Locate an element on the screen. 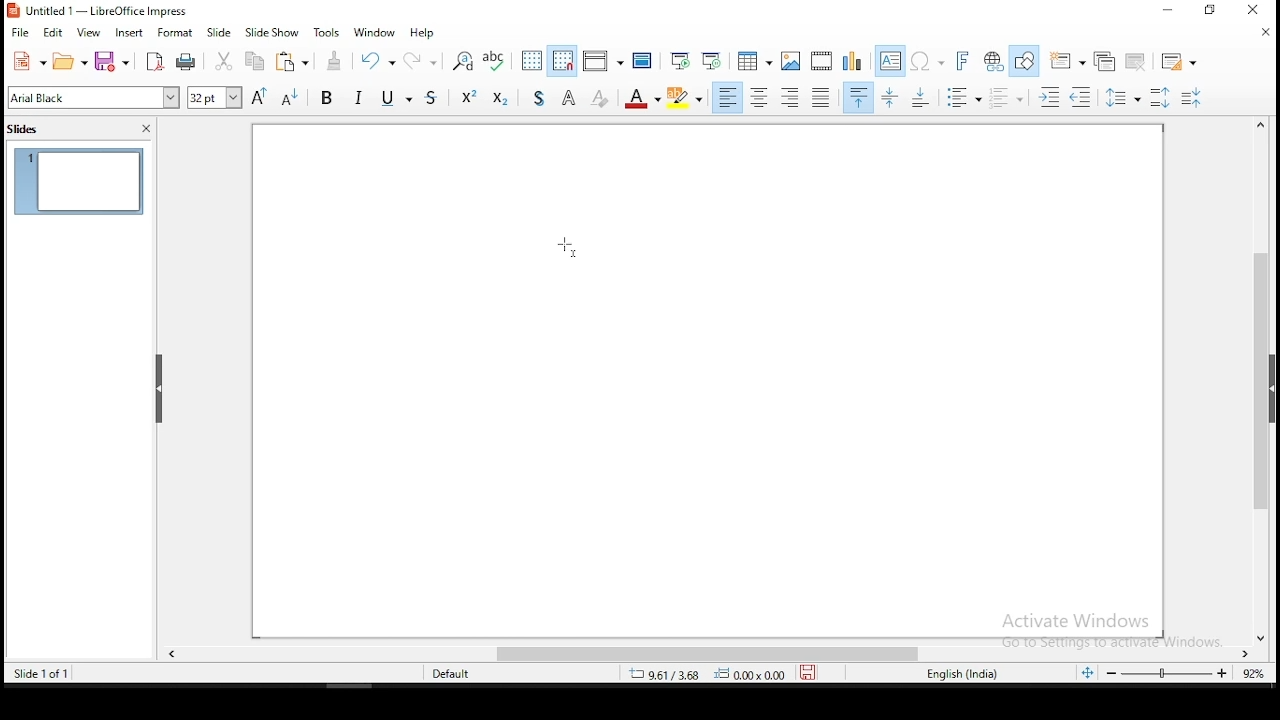  save is located at coordinates (808, 672).